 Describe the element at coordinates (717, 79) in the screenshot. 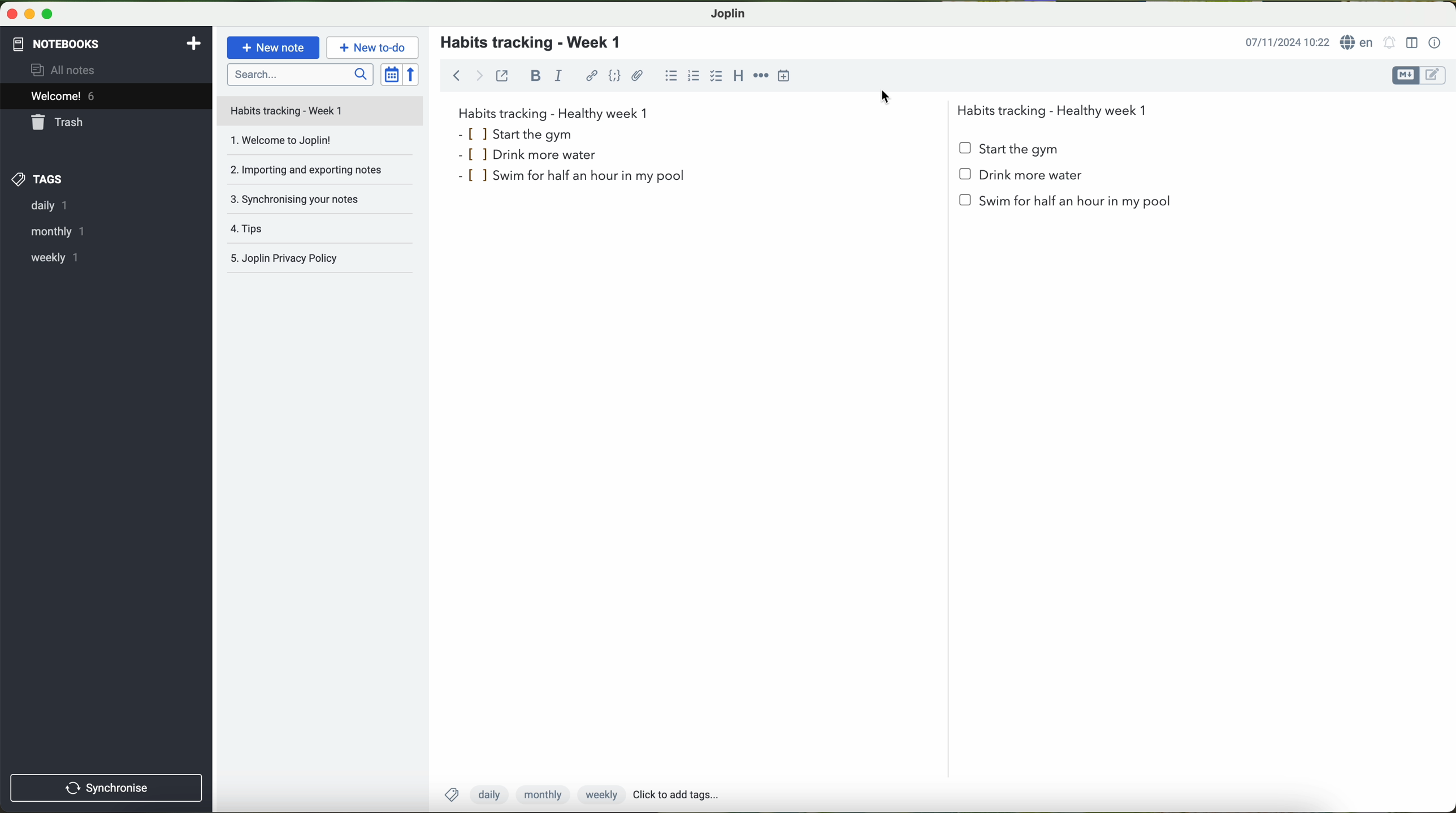

I see `cursor on checkbox` at that location.